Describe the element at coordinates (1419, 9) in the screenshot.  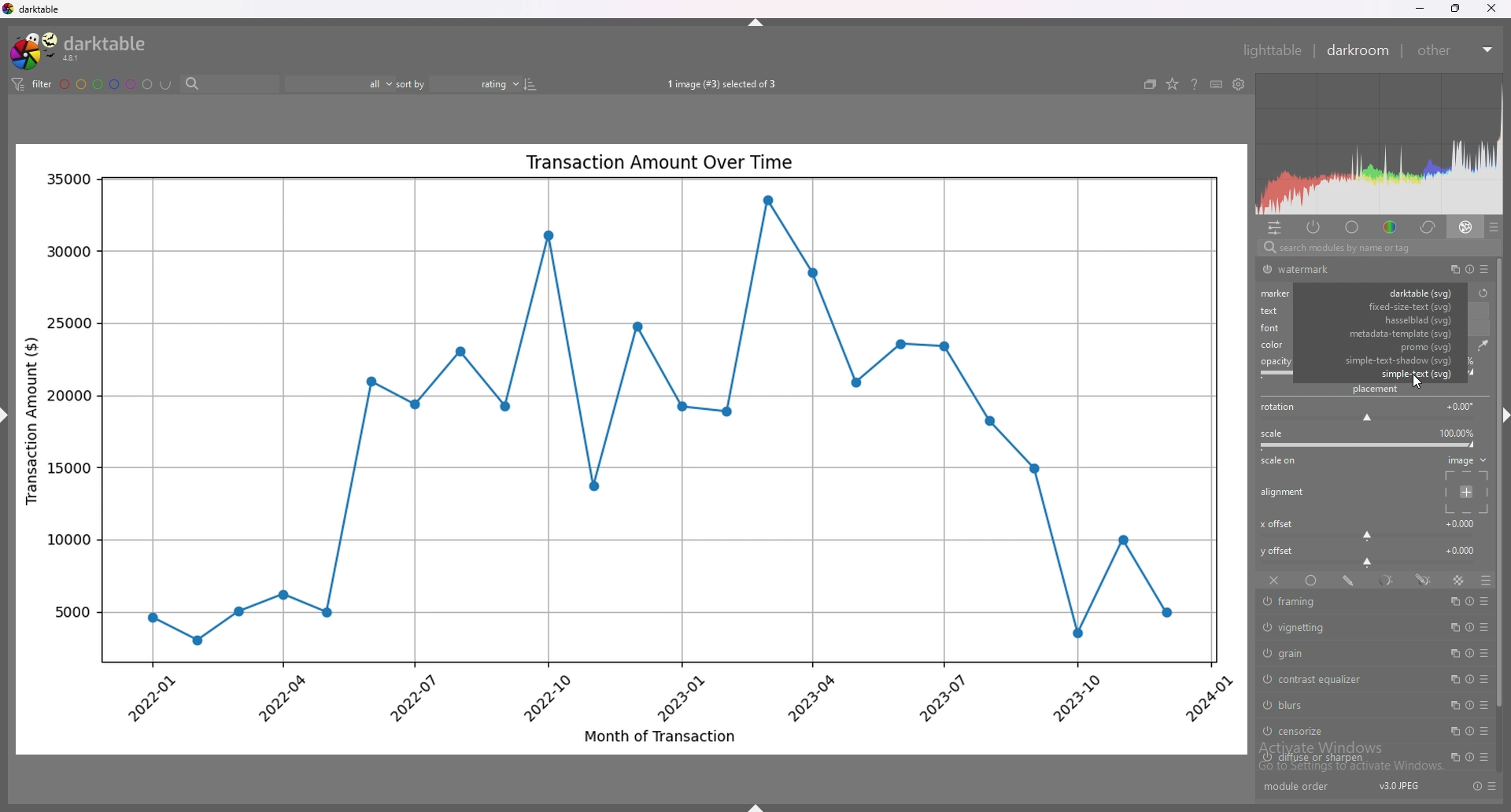
I see `minimize` at that location.